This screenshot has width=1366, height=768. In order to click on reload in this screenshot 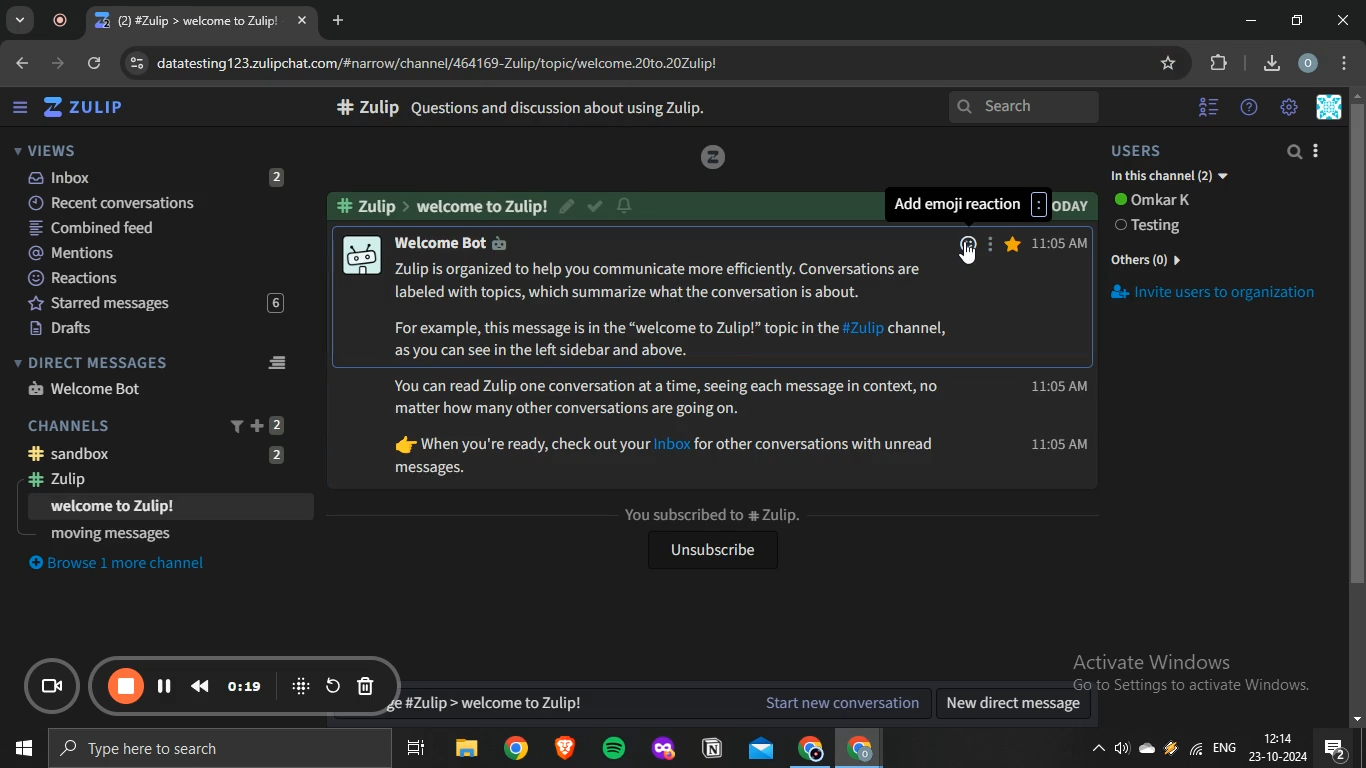, I will do `click(96, 65)`.